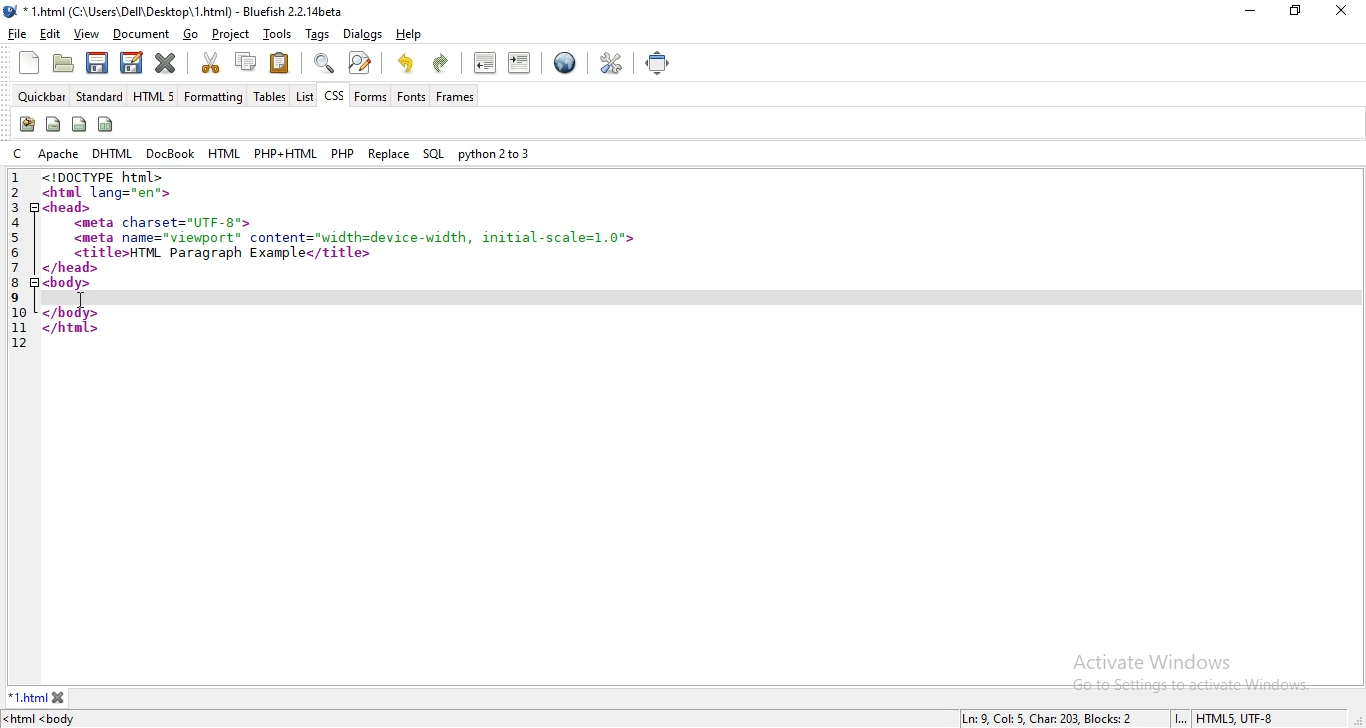  I want to click on copy, so click(244, 61).